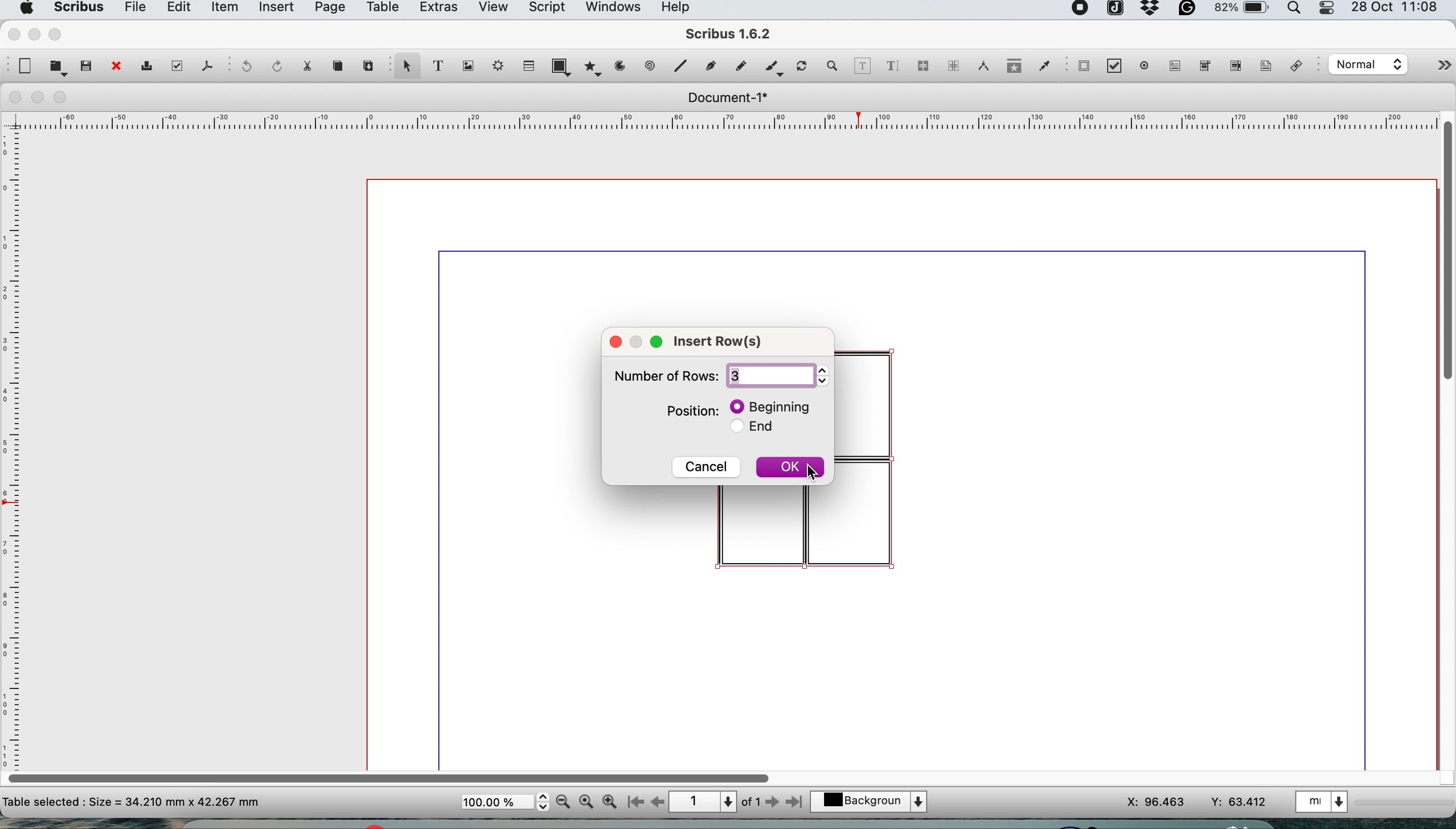 Image resolution: width=1456 pixels, height=829 pixels. Describe the element at coordinates (1145, 65) in the screenshot. I see `pdf radio button` at that location.